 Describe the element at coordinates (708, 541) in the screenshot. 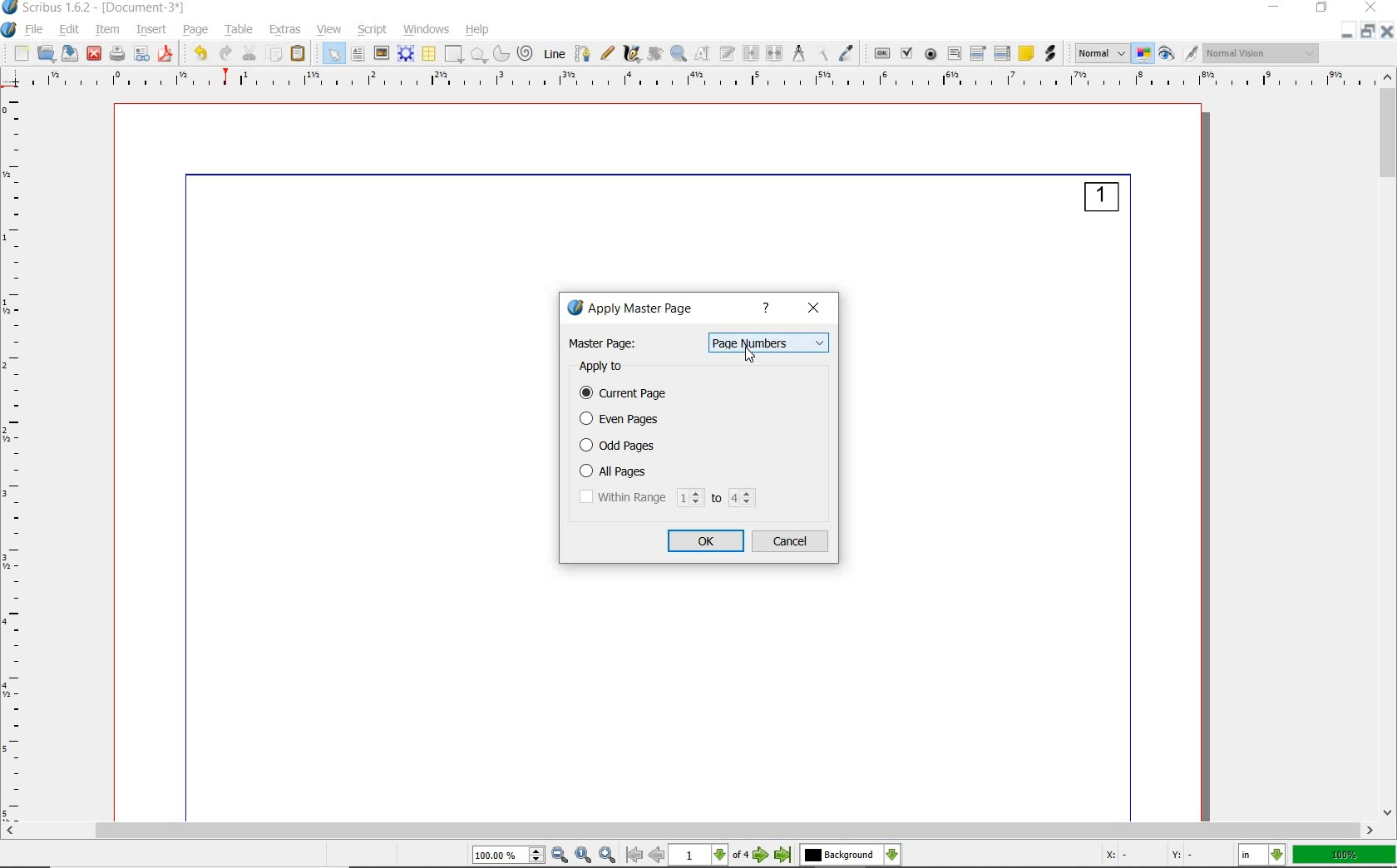

I see `ok` at that location.